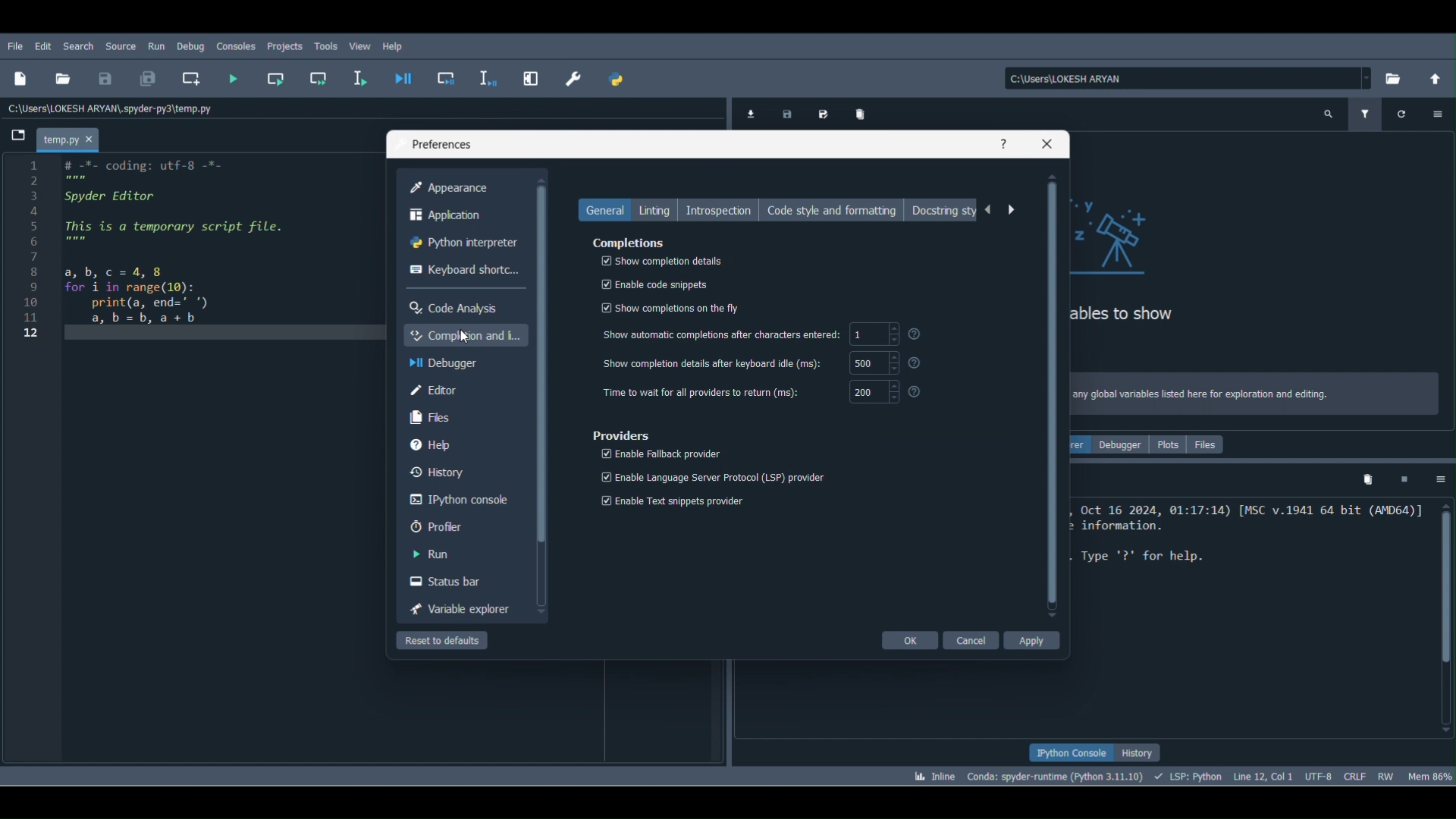  Describe the element at coordinates (1357, 774) in the screenshot. I see `File EOL Status` at that location.